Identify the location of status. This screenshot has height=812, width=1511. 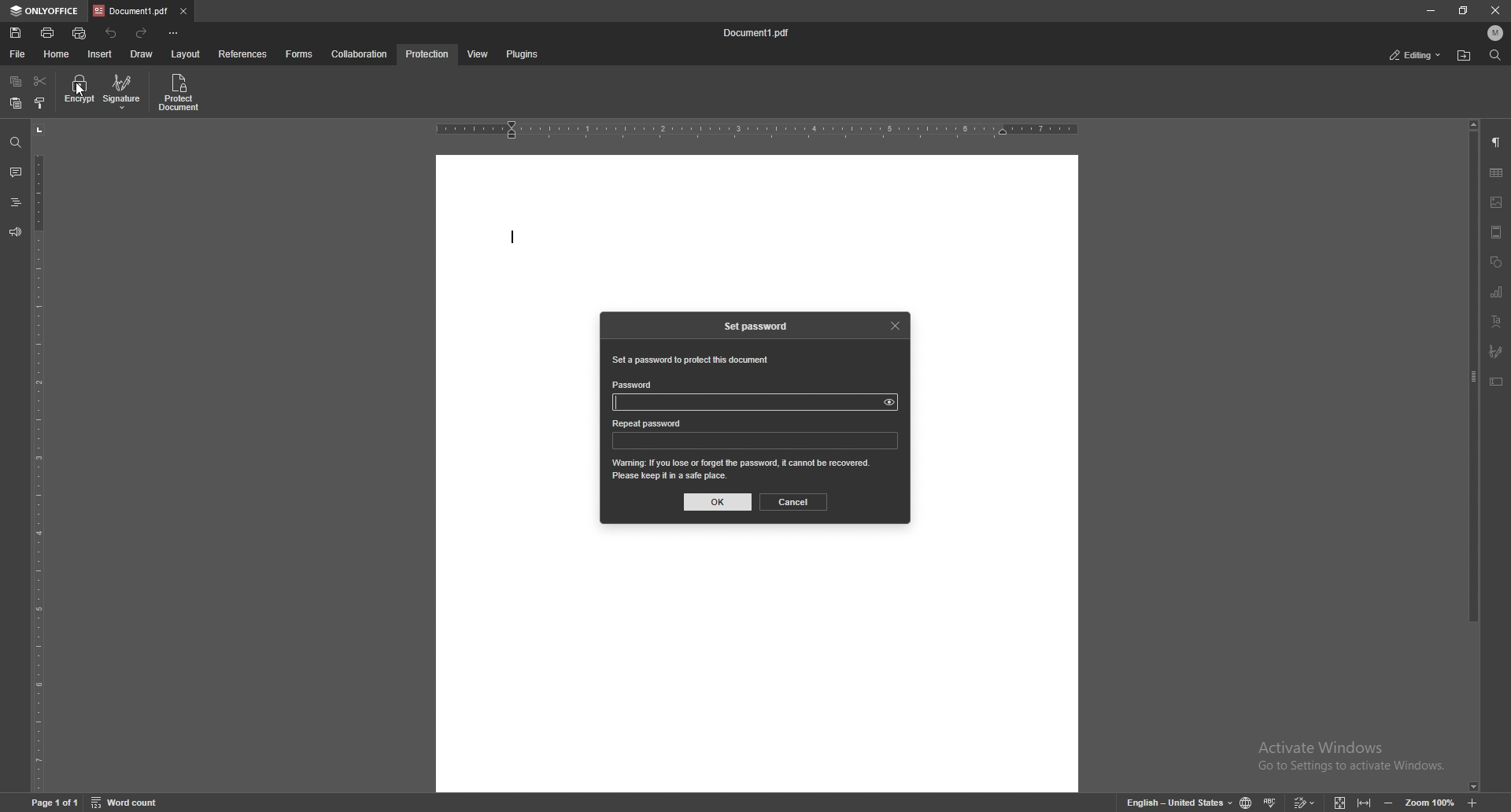
(1416, 55).